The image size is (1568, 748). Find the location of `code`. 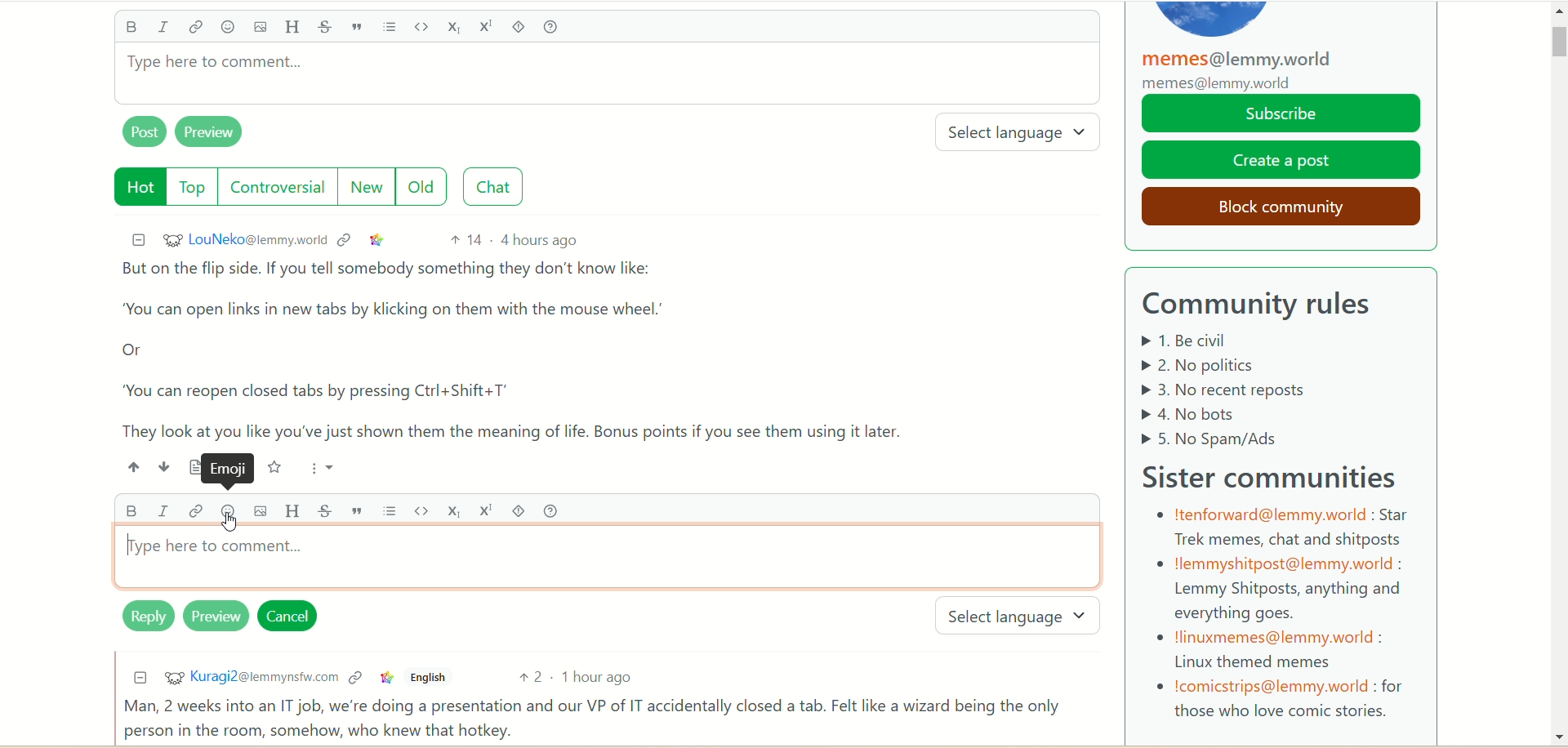

code is located at coordinates (424, 26).